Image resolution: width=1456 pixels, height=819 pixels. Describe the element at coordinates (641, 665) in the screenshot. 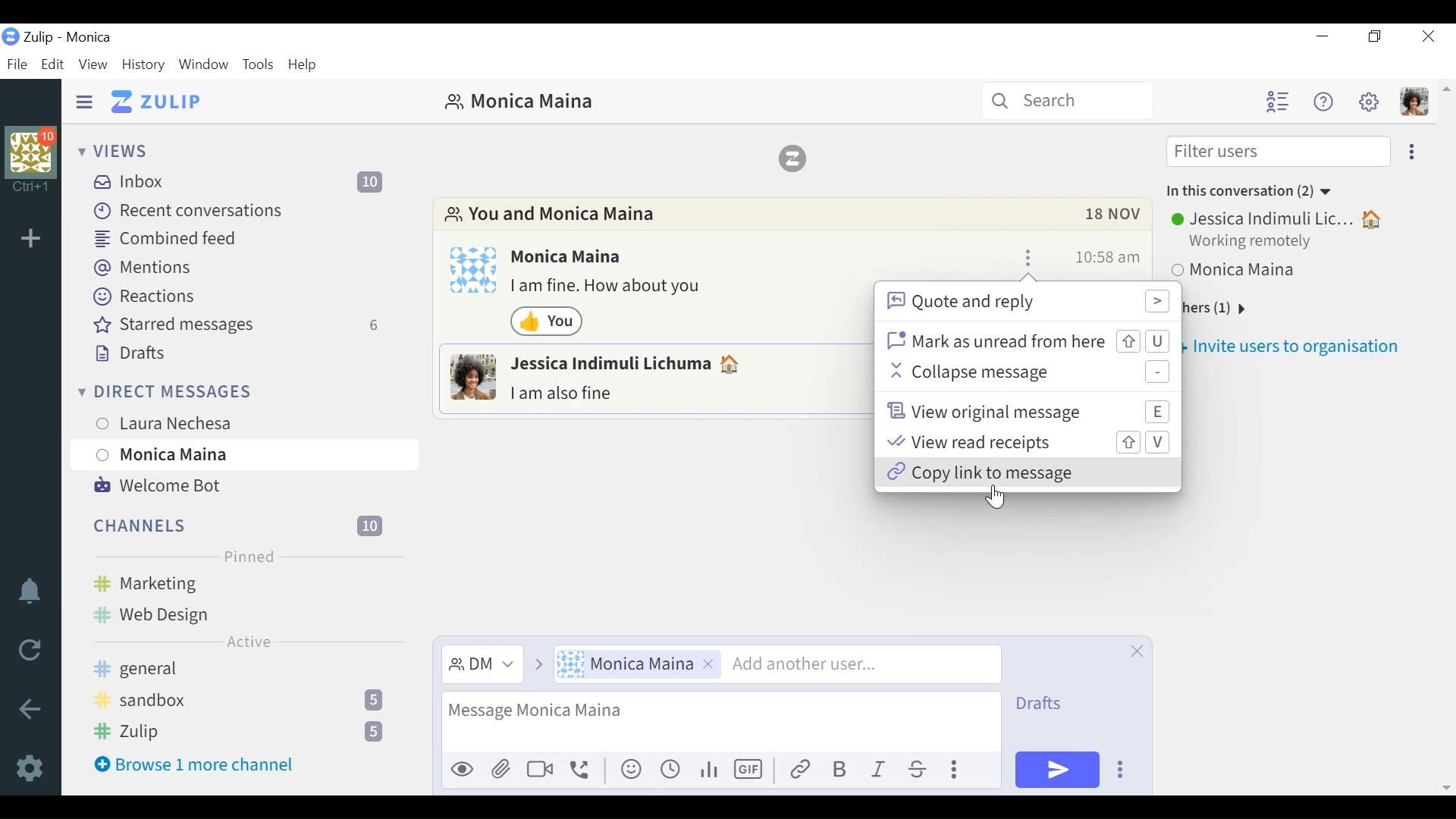

I see `Monica Maina` at that location.